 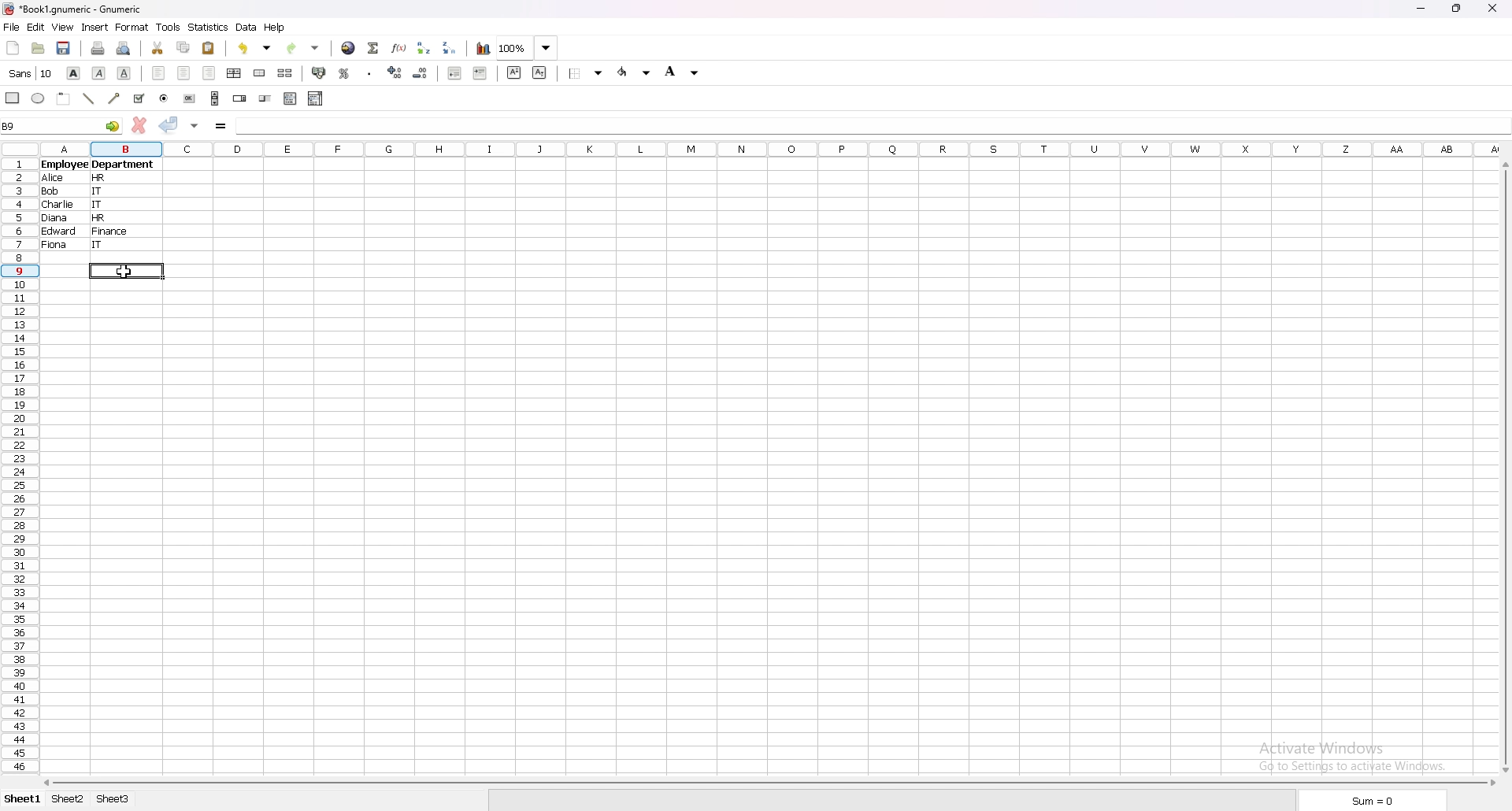 What do you see at coordinates (220, 125) in the screenshot?
I see `formula` at bounding box center [220, 125].